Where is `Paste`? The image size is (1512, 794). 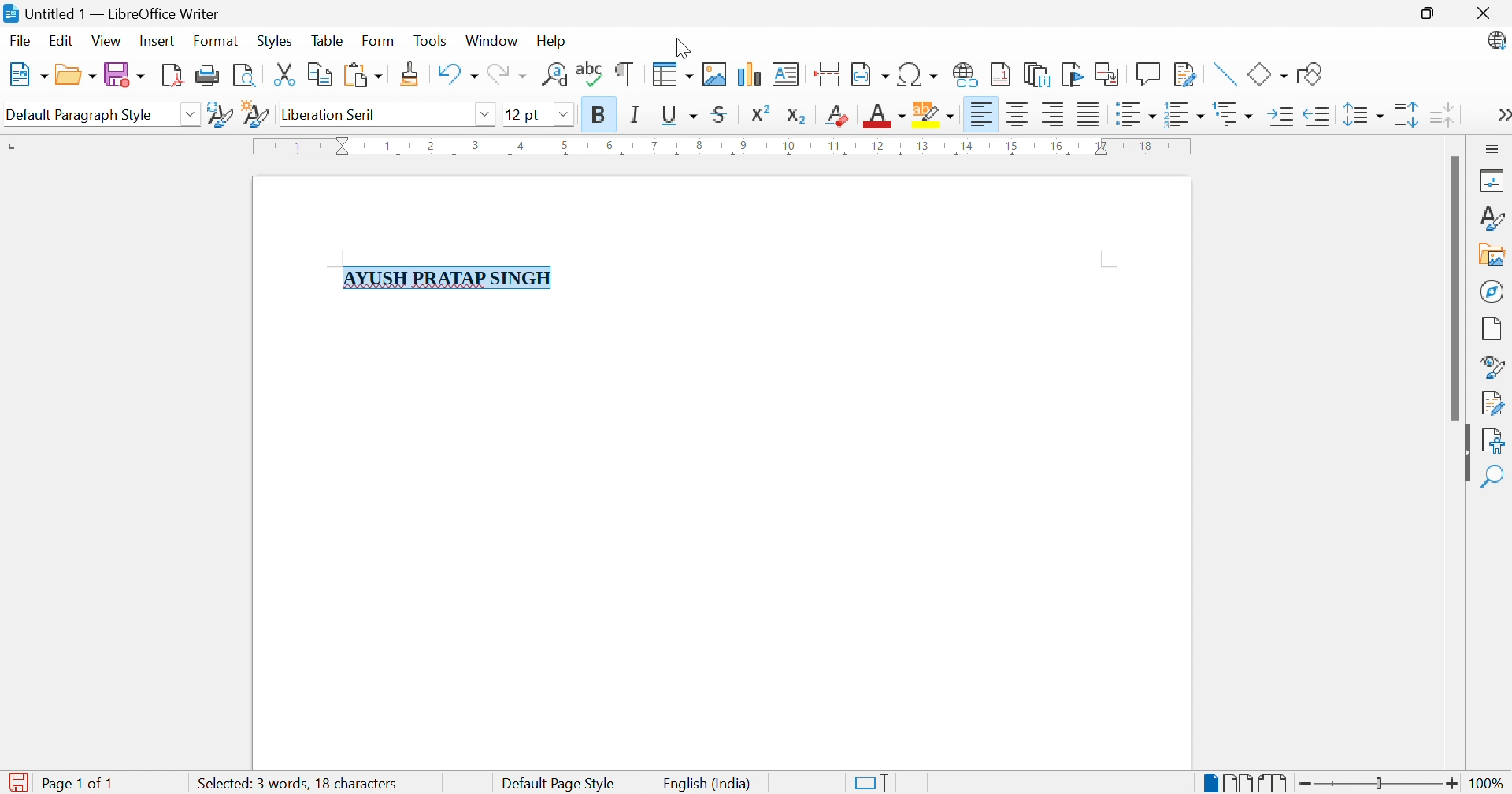
Paste is located at coordinates (362, 74).